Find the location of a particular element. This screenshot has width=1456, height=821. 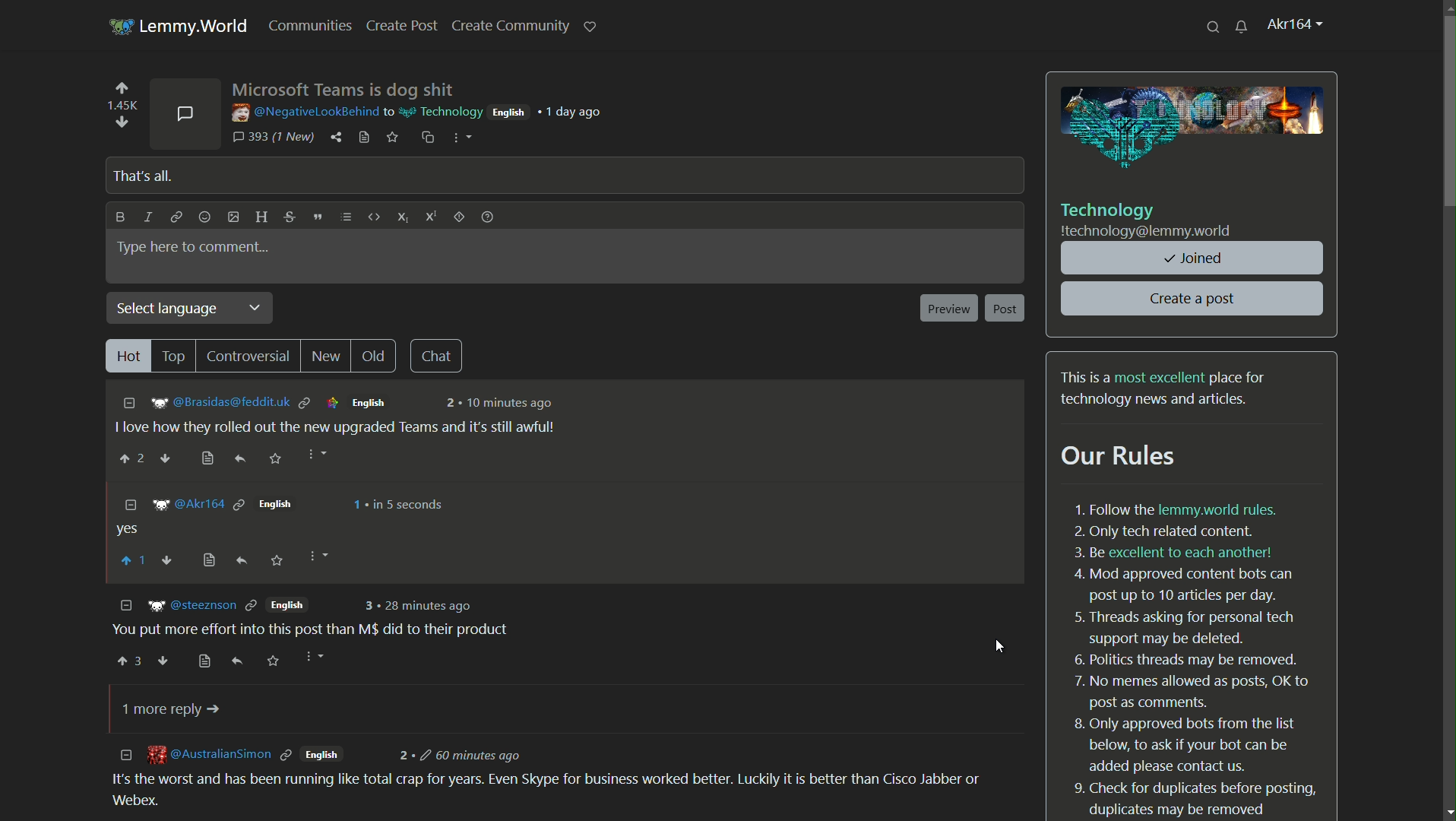

downvote is located at coordinates (169, 563).